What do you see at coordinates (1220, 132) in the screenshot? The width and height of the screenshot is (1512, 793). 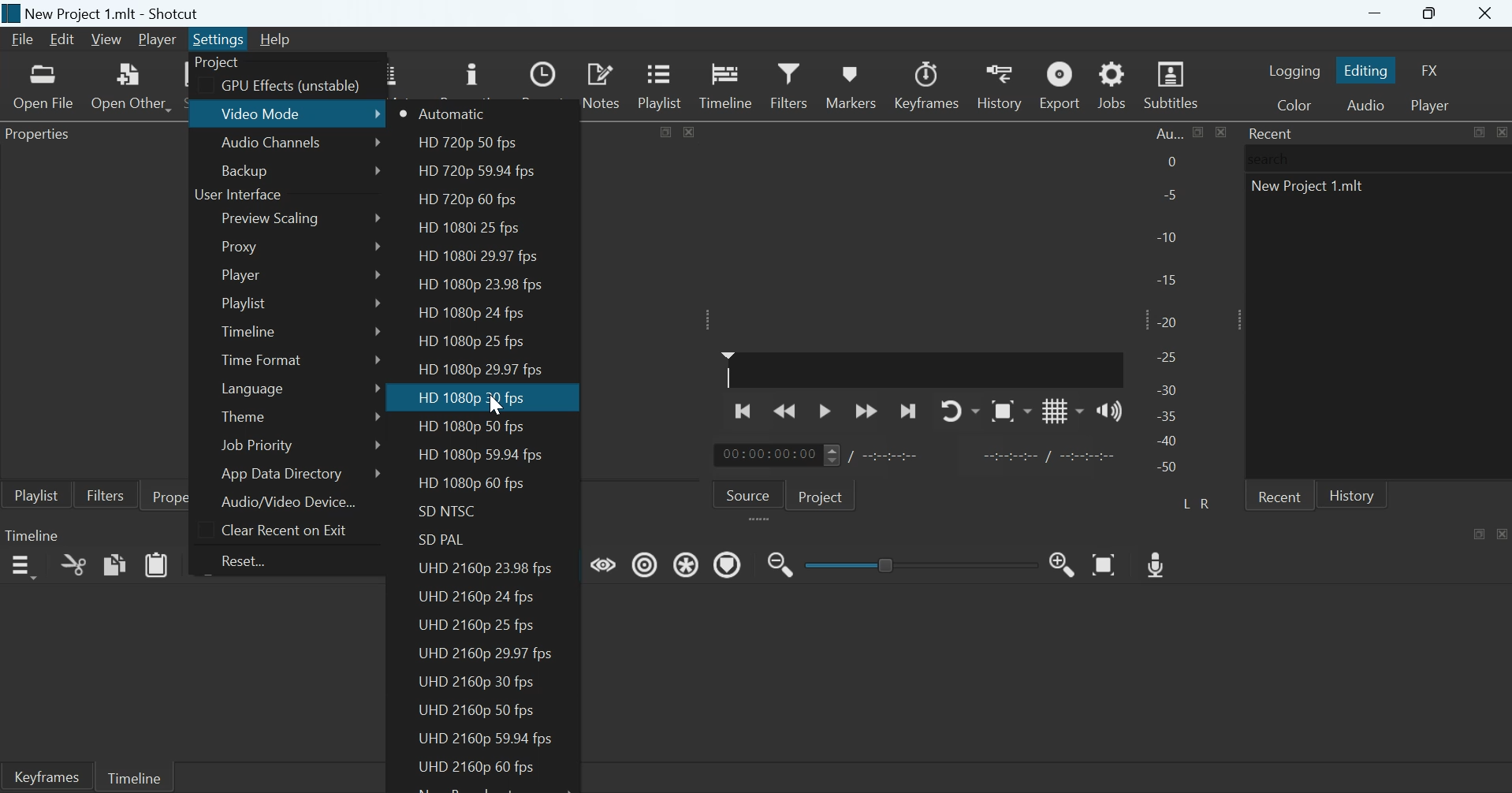 I see `close` at bounding box center [1220, 132].